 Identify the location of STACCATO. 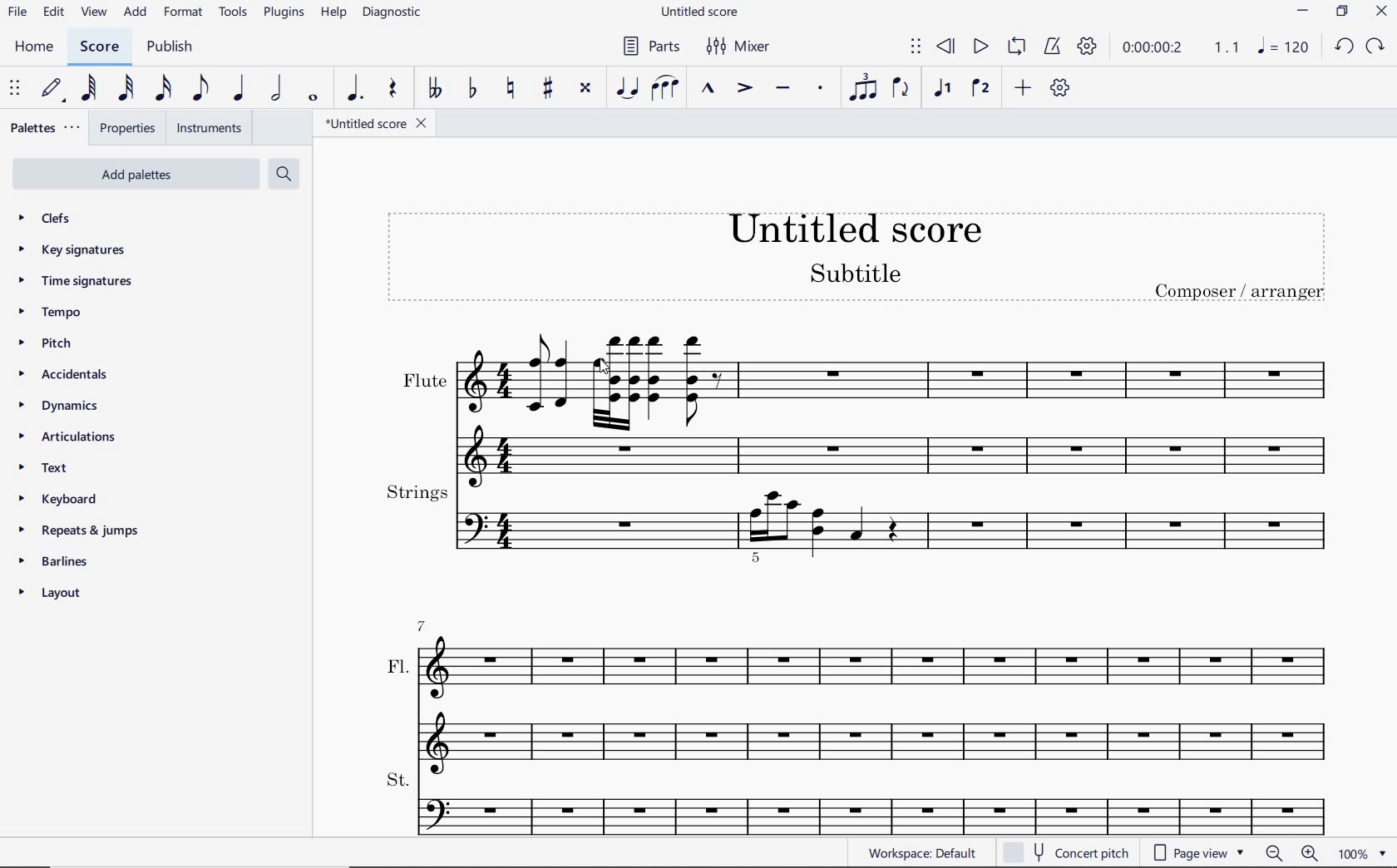
(821, 89).